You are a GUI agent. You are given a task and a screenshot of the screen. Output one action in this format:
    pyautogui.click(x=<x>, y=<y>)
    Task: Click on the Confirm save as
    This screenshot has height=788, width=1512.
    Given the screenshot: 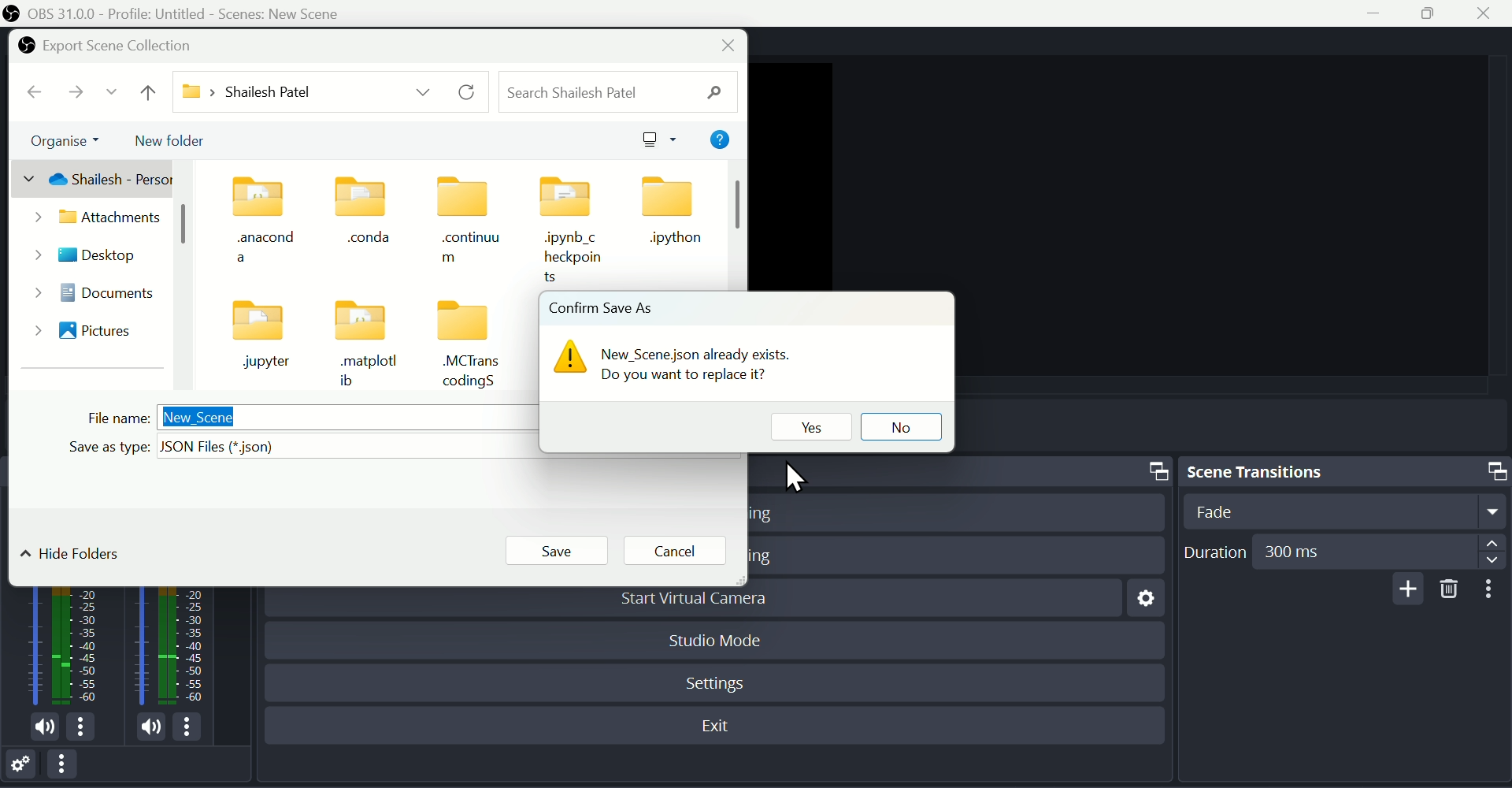 What is the action you would take?
    pyautogui.click(x=603, y=304)
    